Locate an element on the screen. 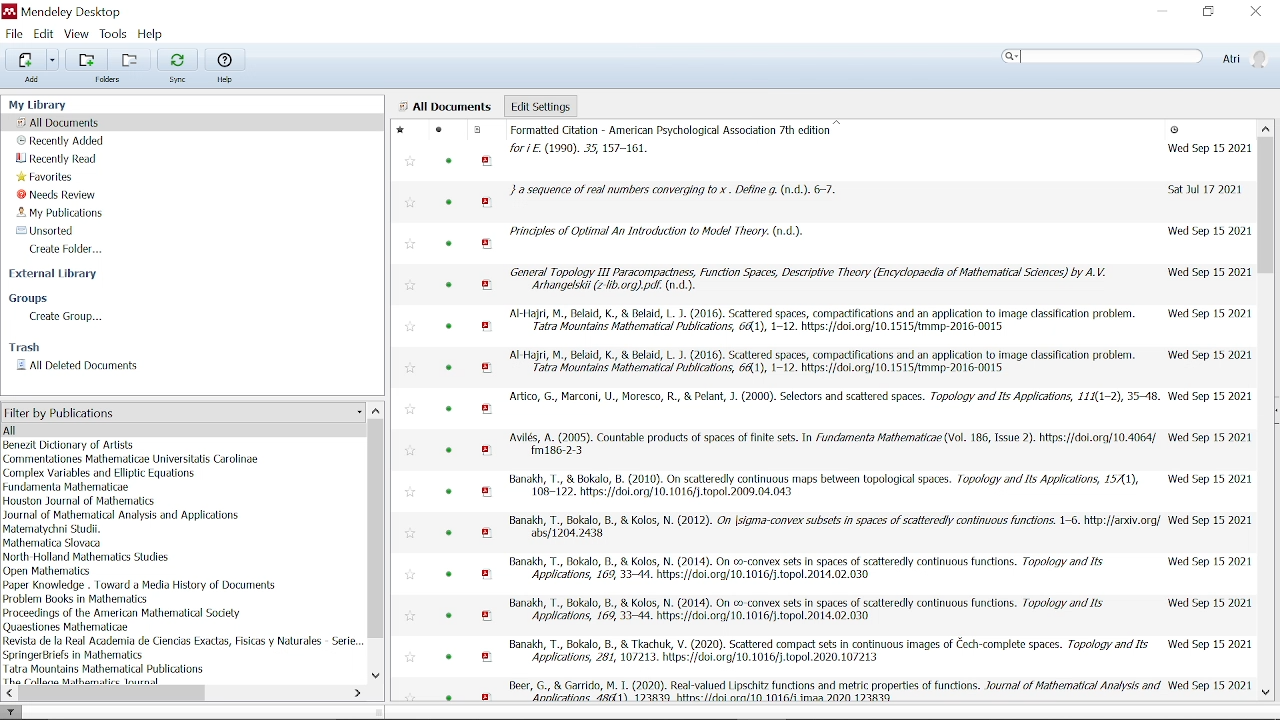 The image size is (1280, 720). Unsorted is located at coordinates (42, 230).